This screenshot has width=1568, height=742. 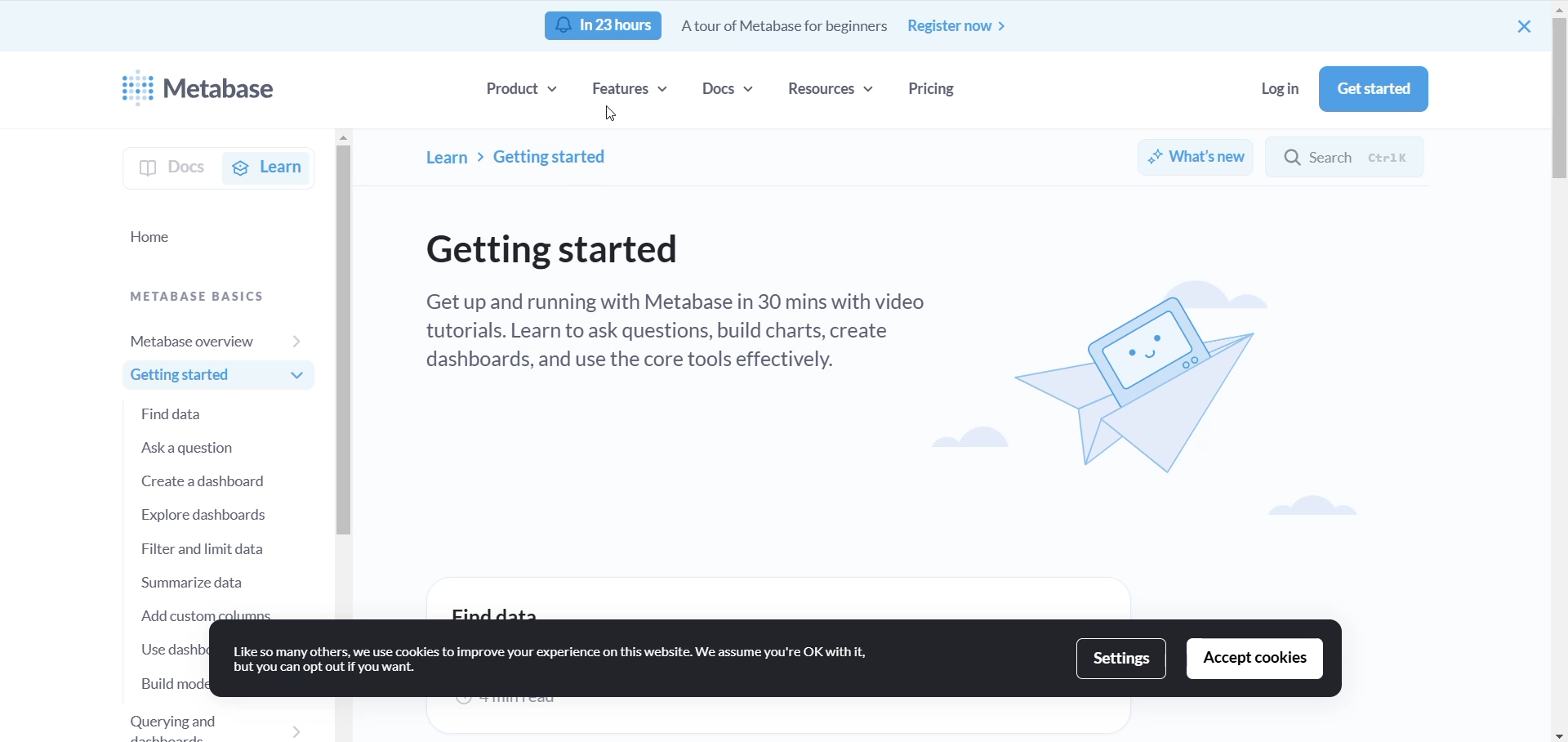 I want to click on PATH, so click(x=531, y=159).